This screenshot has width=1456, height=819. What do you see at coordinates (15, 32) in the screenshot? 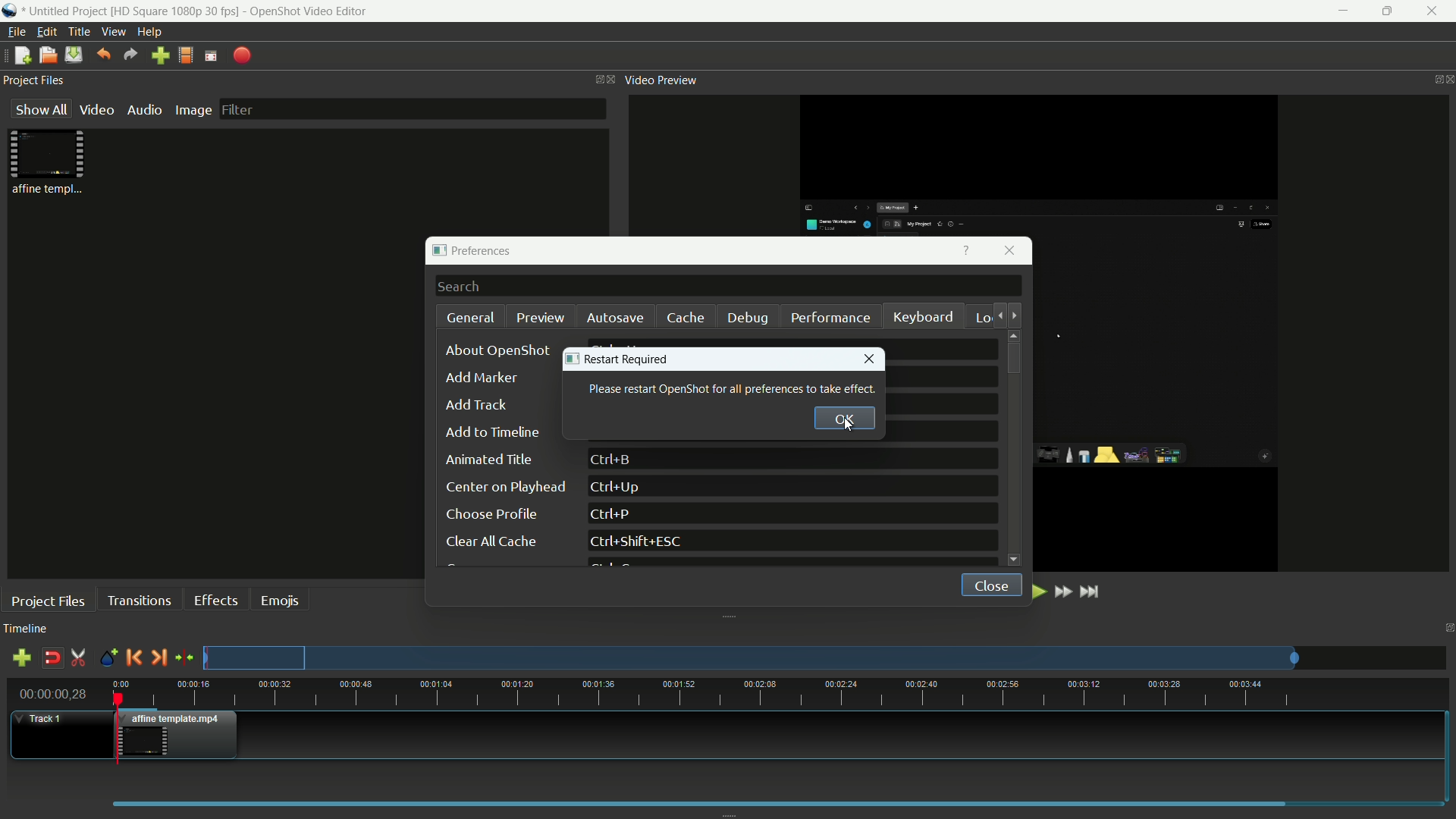
I see `file menu` at bounding box center [15, 32].